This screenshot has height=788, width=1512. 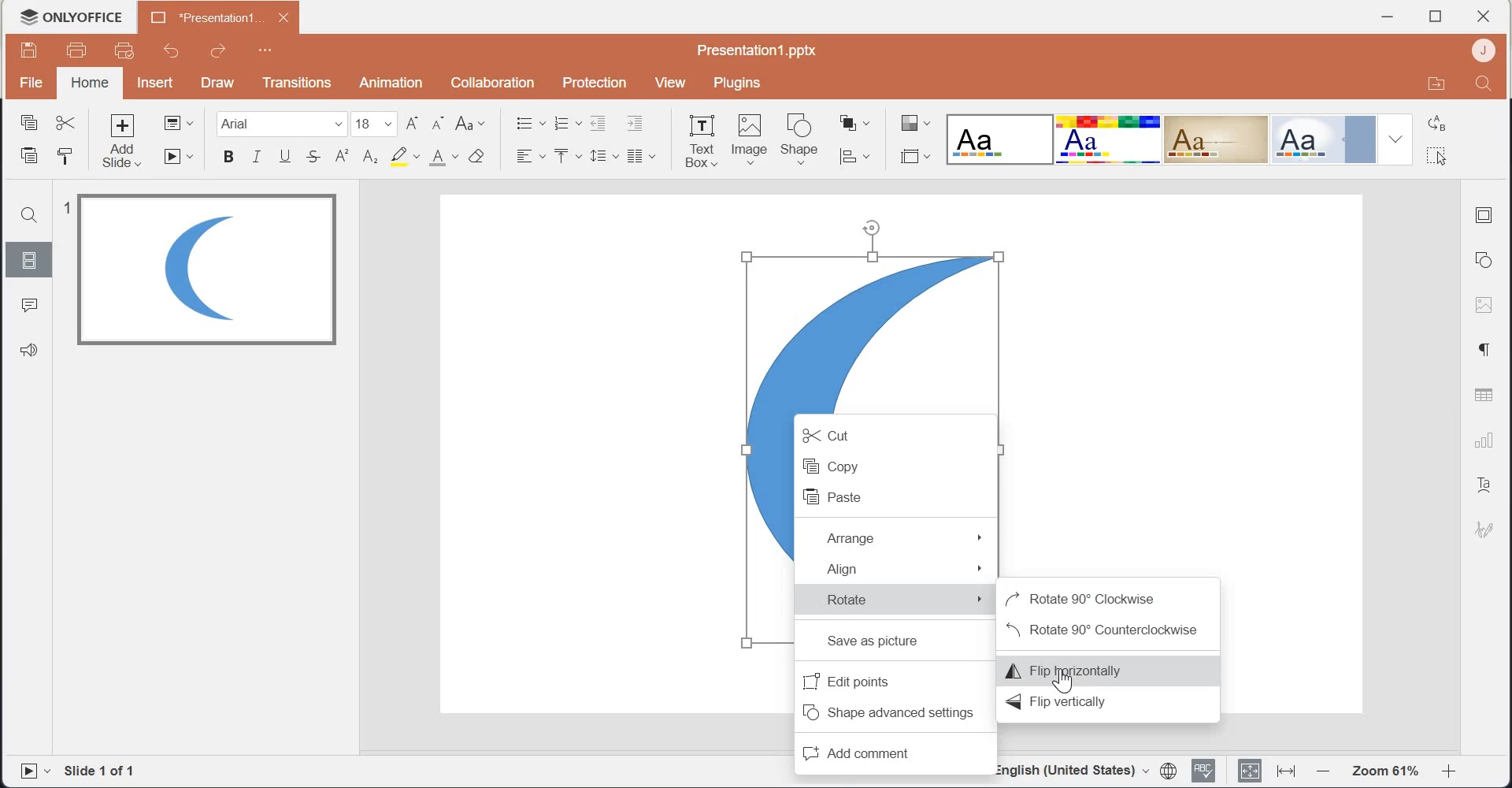 I want to click on Font color, so click(x=444, y=156).